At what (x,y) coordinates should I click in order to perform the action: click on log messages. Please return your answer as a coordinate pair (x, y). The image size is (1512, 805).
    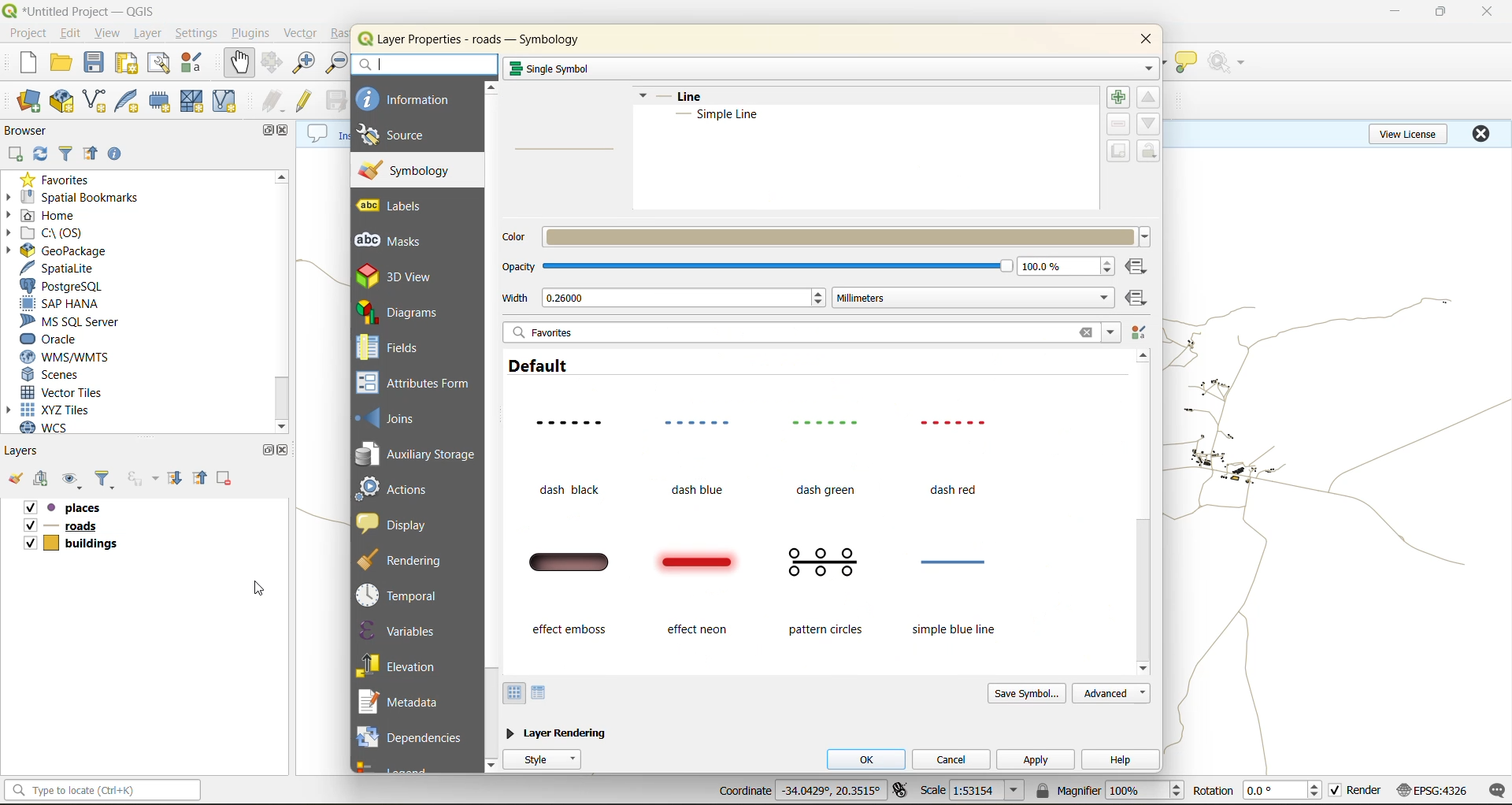
    Looking at the image, I should click on (1496, 792).